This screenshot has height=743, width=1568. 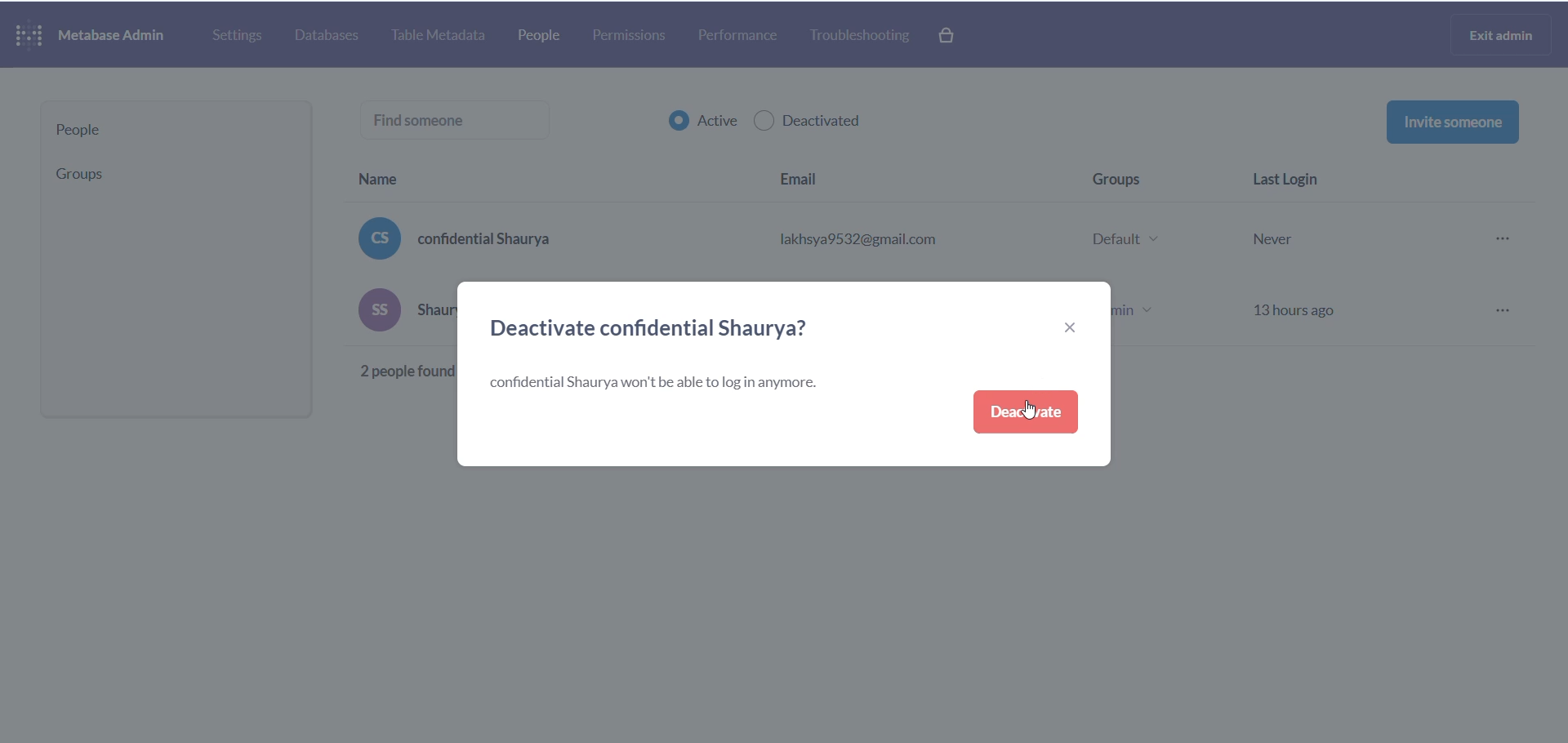 What do you see at coordinates (463, 238) in the screenshot?
I see ` confidential Shaurya` at bounding box center [463, 238].